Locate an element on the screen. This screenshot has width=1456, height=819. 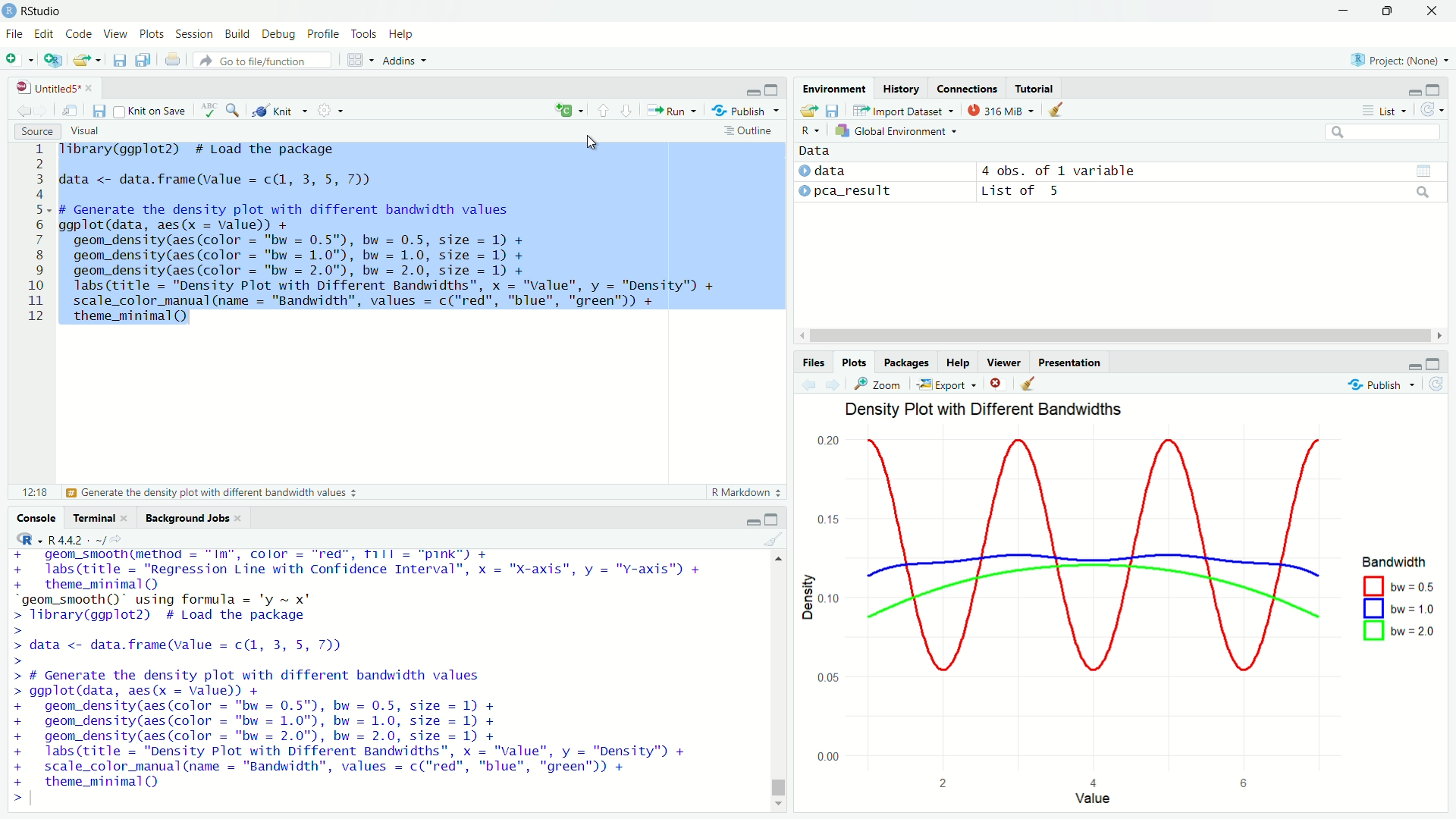
expand/collapse is located at coordinates (803, 171).